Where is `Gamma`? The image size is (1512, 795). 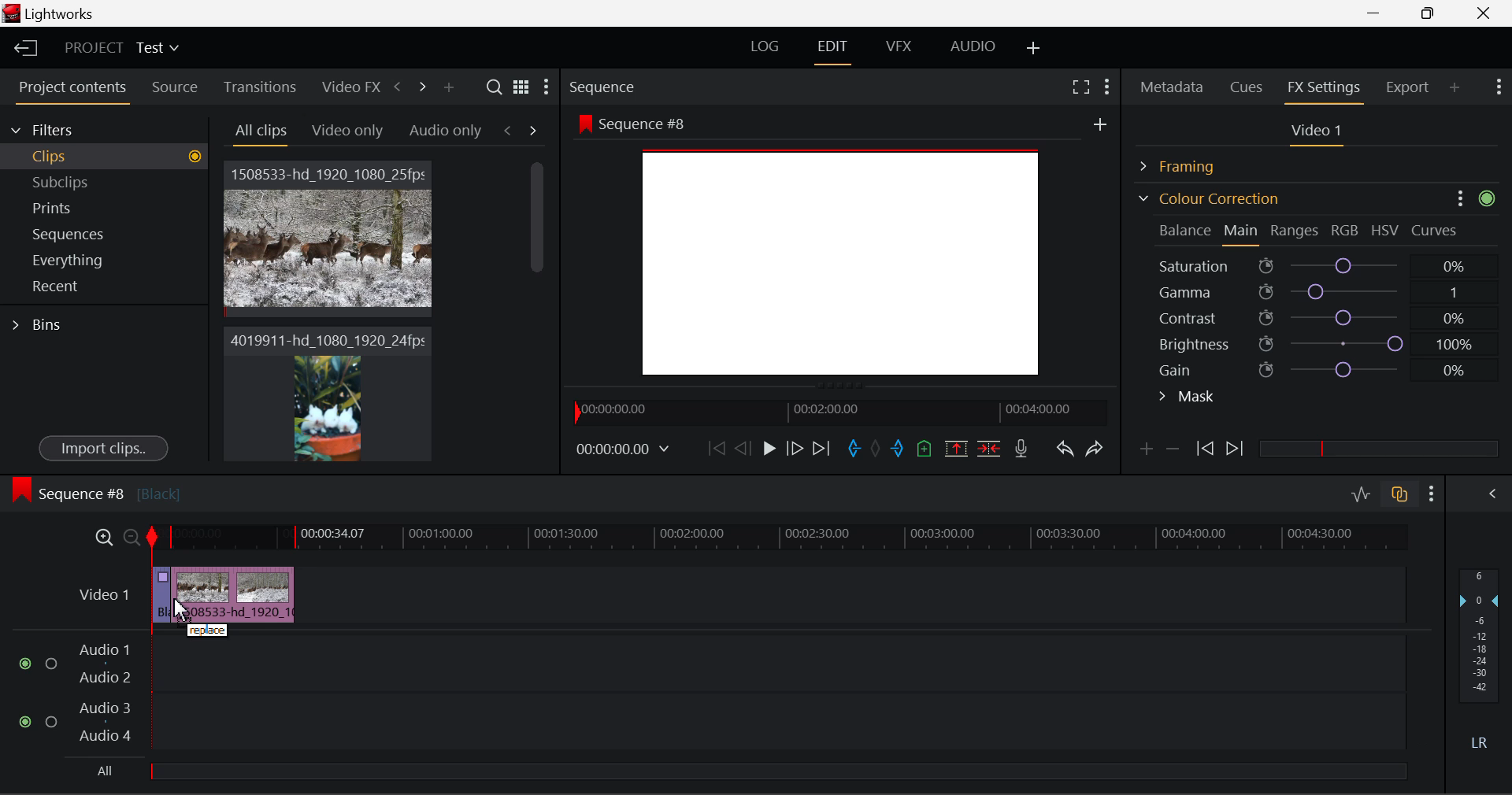
Gamma is located at coordinates (1320, 292).